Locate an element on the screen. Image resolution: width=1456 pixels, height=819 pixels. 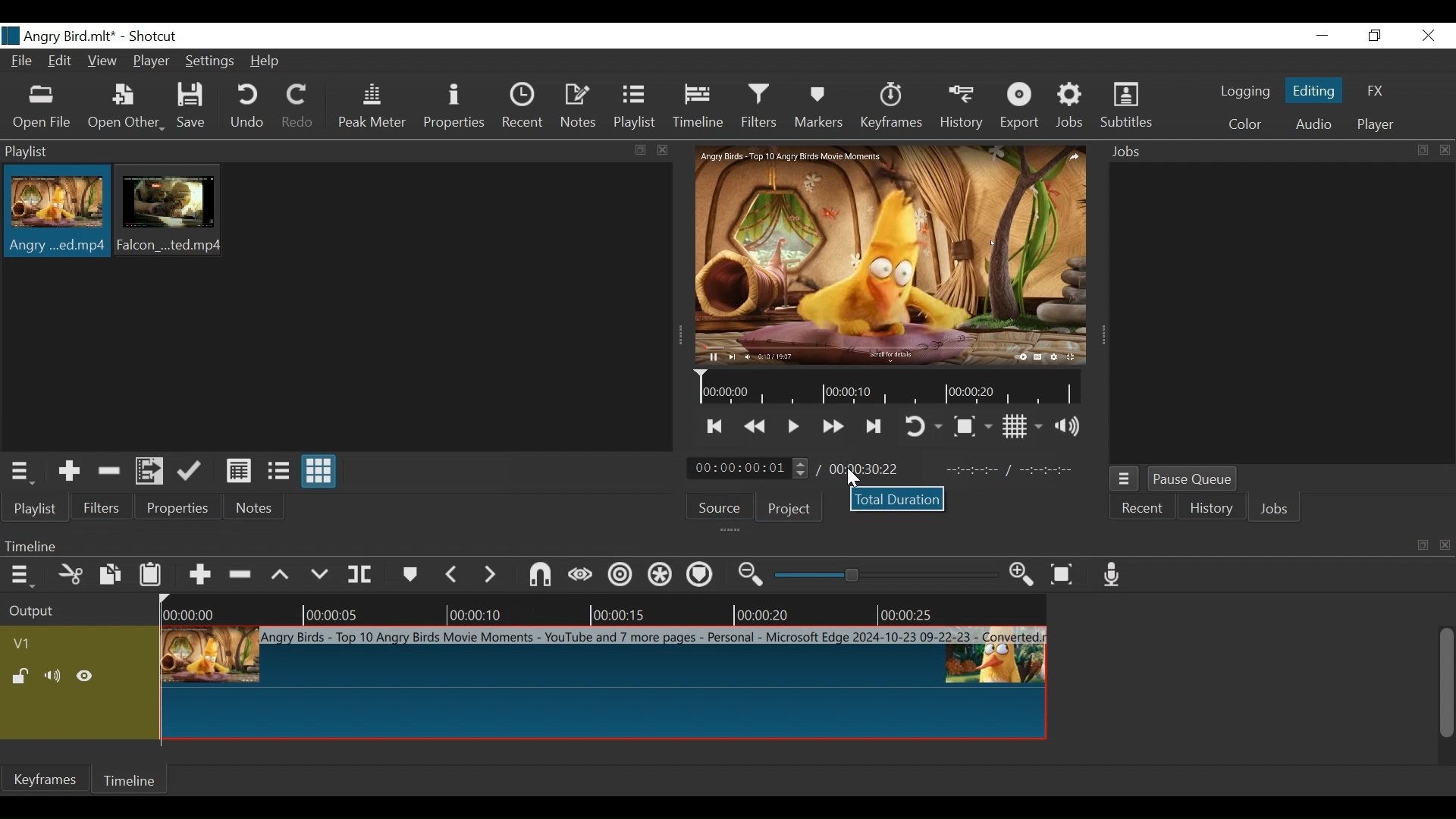
View as Detail is located at coordinates (238, 471).